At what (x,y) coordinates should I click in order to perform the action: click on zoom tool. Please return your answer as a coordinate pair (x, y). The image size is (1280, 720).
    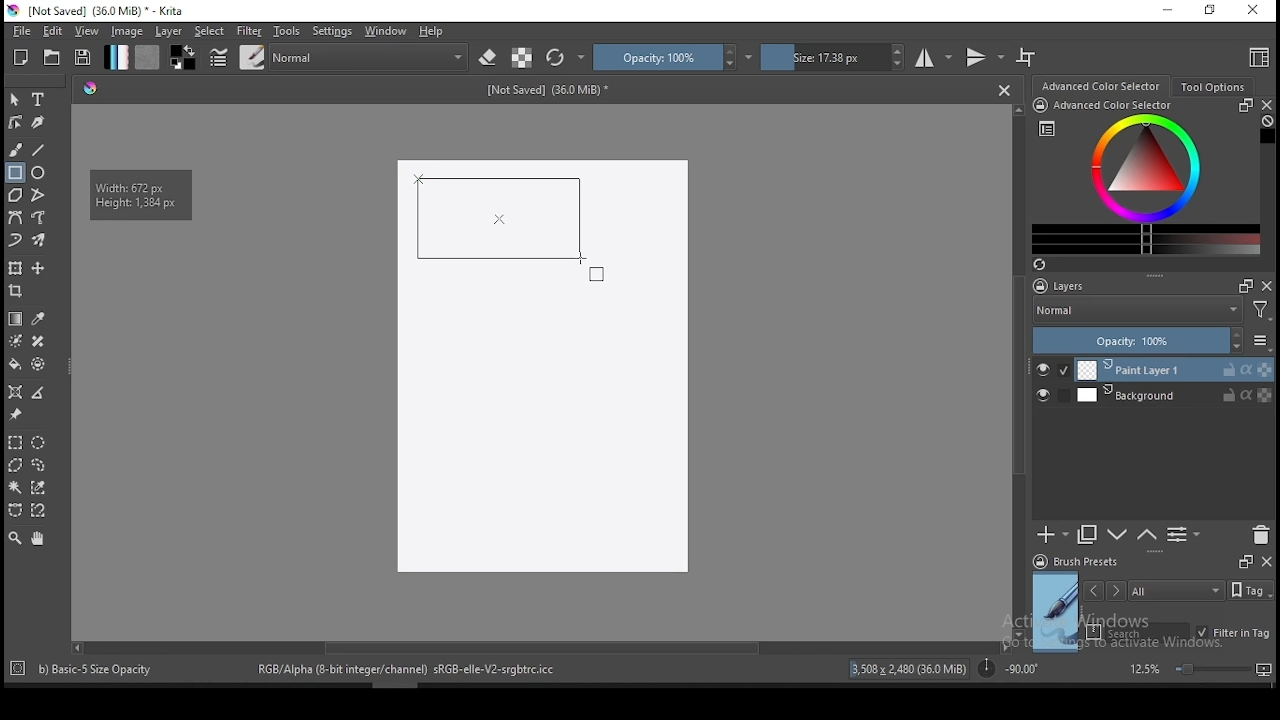
    Looking at the image, I should click on (15, 537).